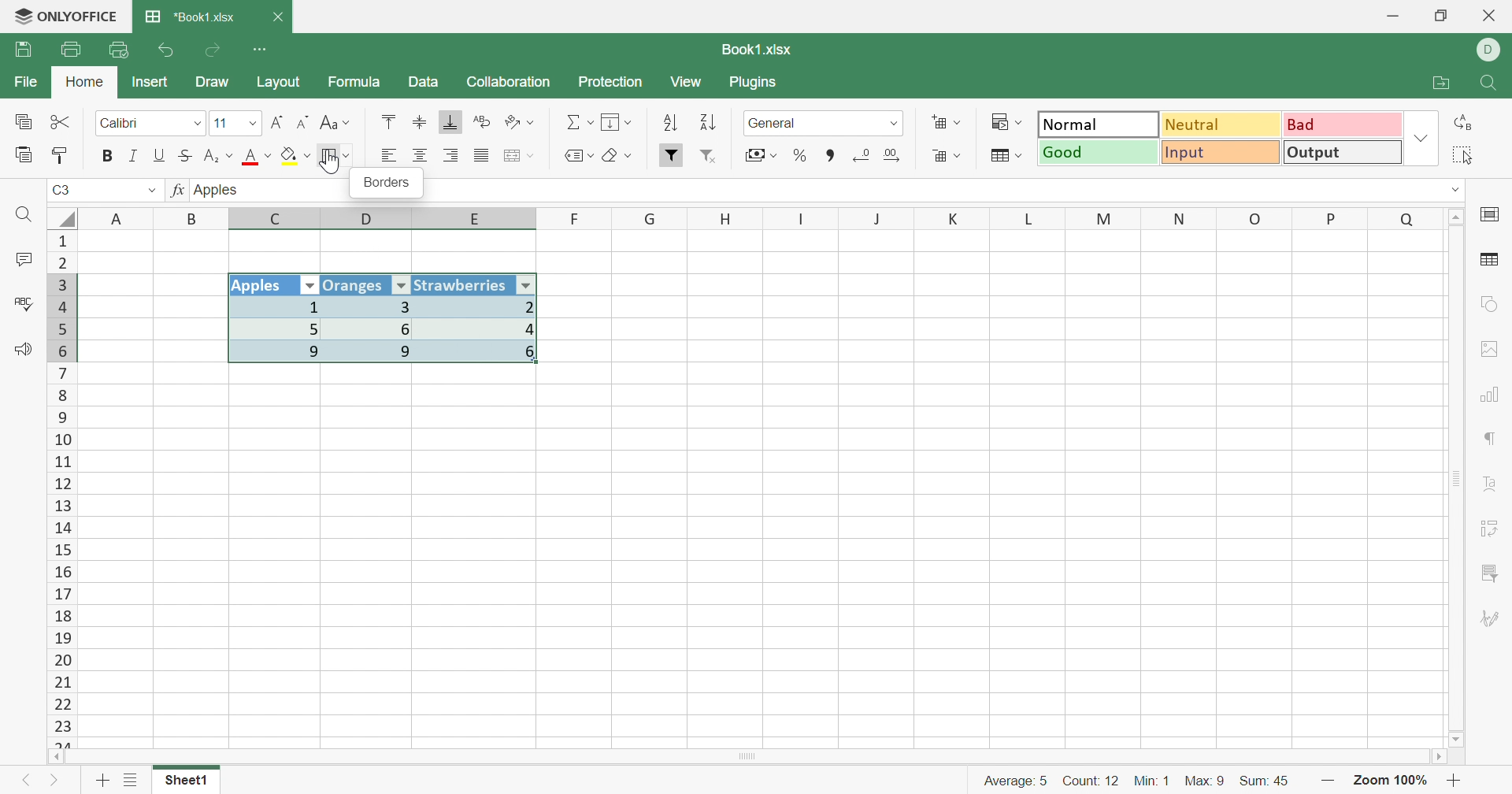  What do you see at coordinates (802, 219) in the screenshot?
I see `I` at bounding box center [802, 219].